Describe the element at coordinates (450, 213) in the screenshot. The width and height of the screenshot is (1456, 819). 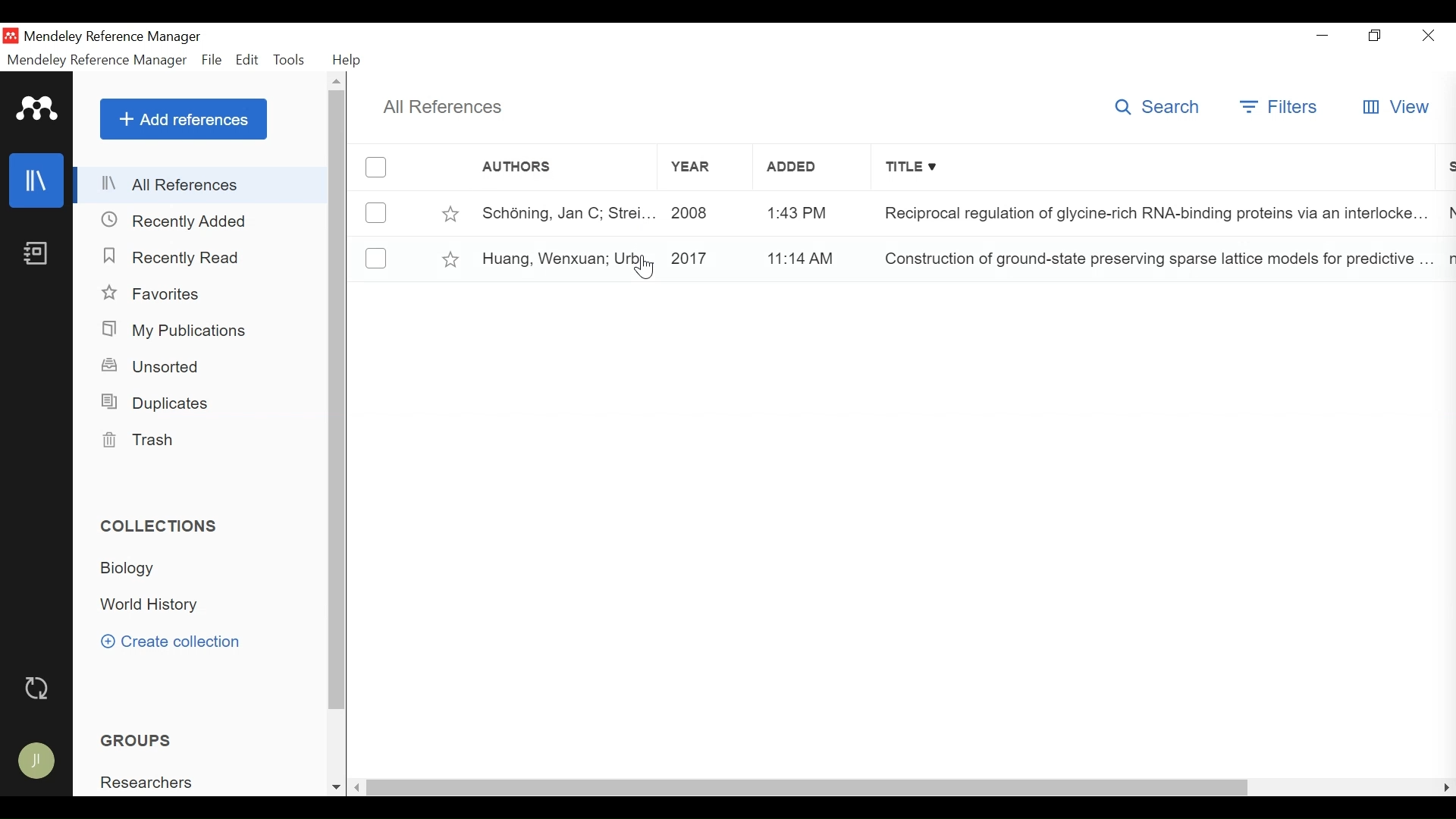
I see `Toggle Favorite` at that location.